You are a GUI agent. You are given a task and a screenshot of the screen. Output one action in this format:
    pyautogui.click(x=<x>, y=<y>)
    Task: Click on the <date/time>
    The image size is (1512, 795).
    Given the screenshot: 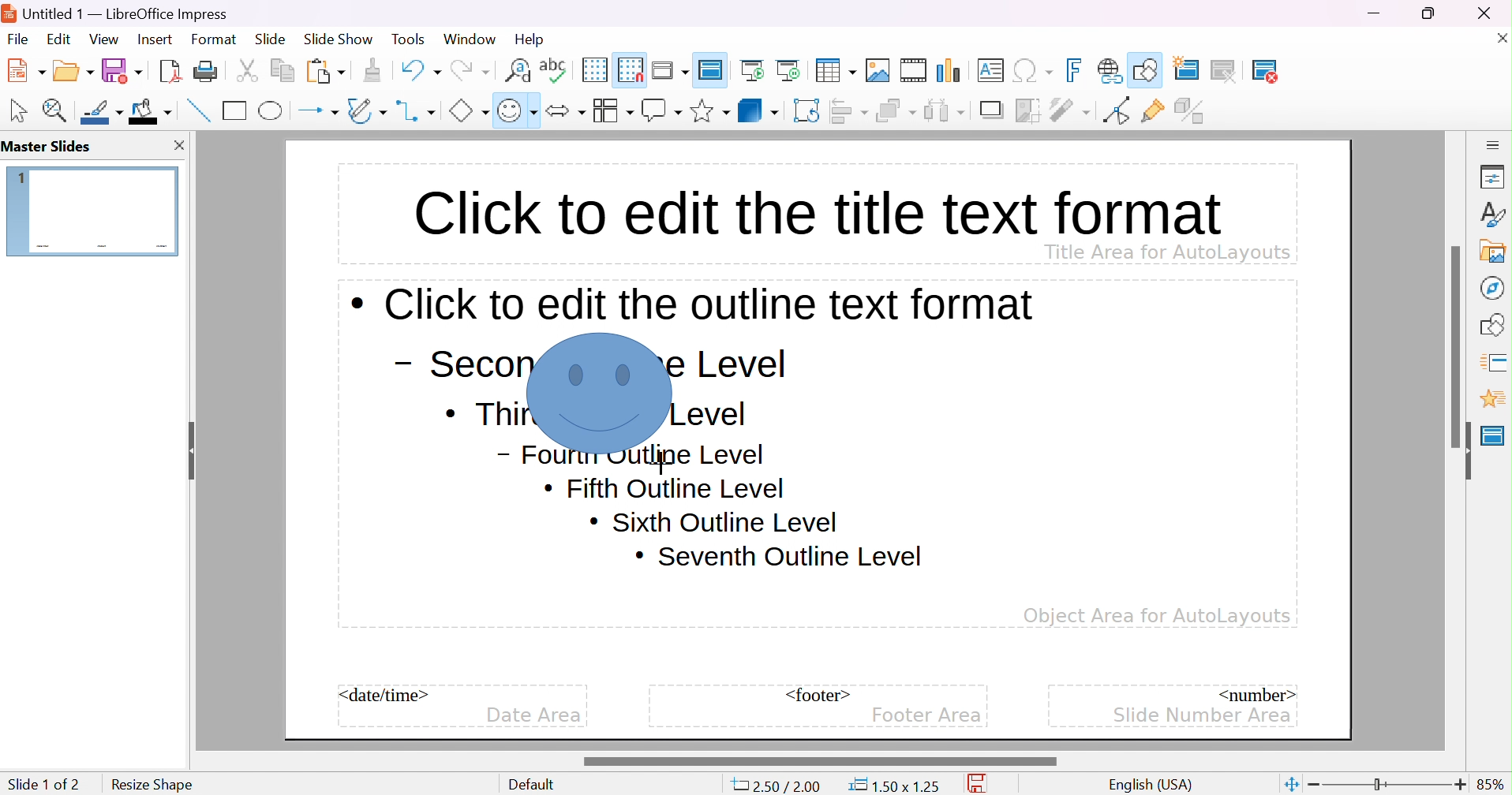 What is the action you would take?
    pyautogui.click(x=385, y=695)
    